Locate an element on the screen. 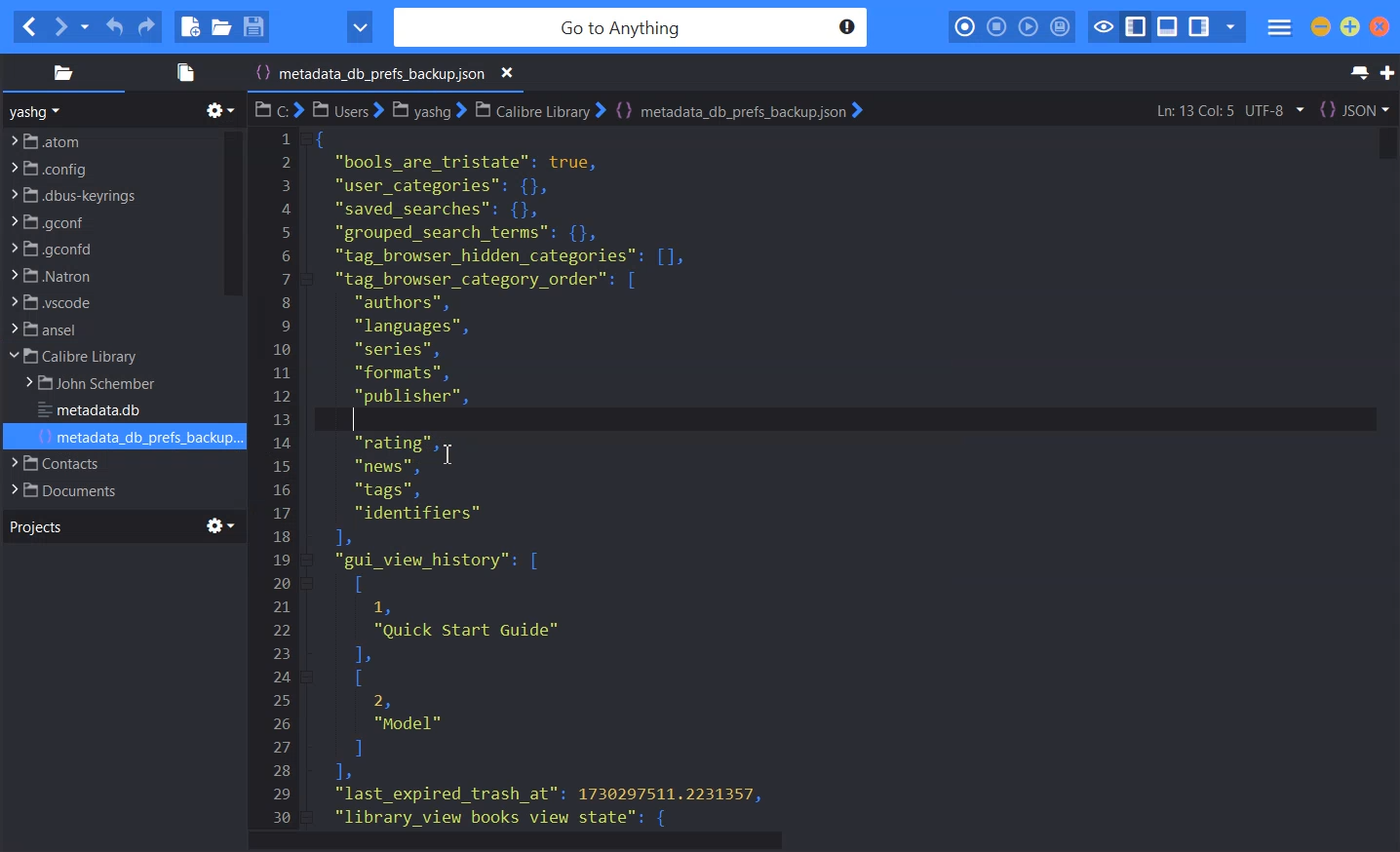  Text cursor is located at coordinates (356, 419).